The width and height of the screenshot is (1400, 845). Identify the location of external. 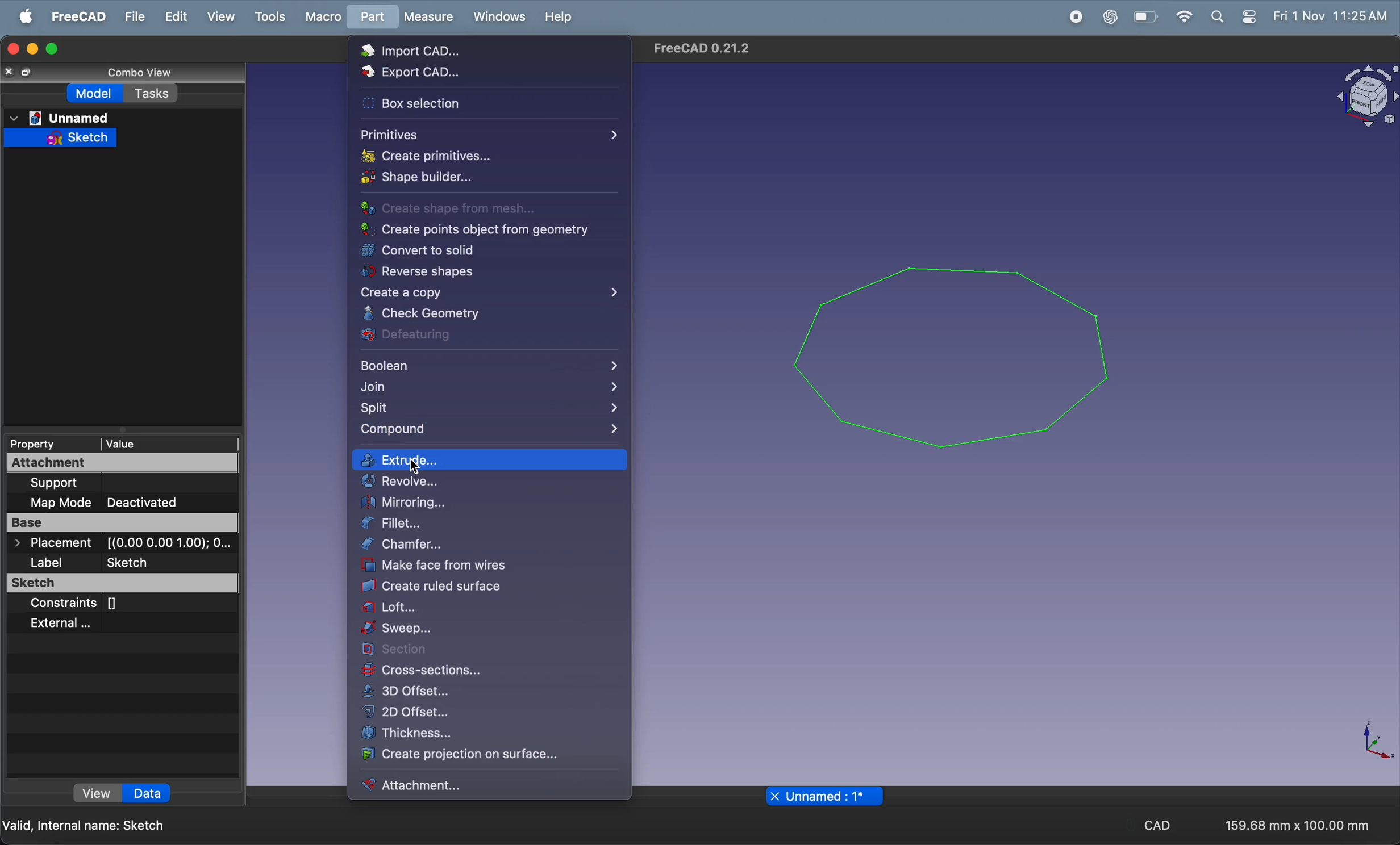
(87, 625).